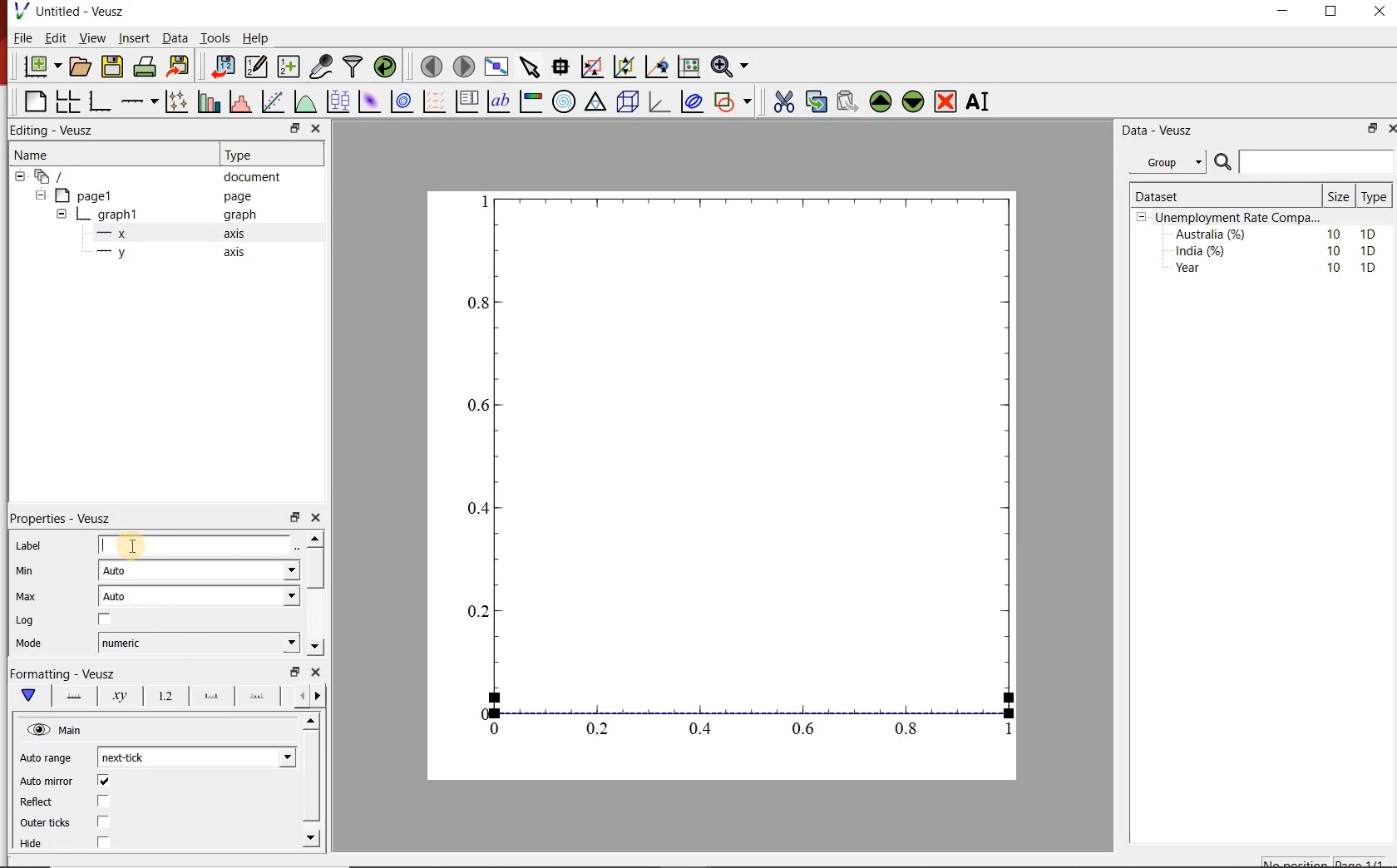 This screenshot has width=1397, height=868. Describe the element at coordinates (178, 233) in the screenshot. I see `x axis` at that location.